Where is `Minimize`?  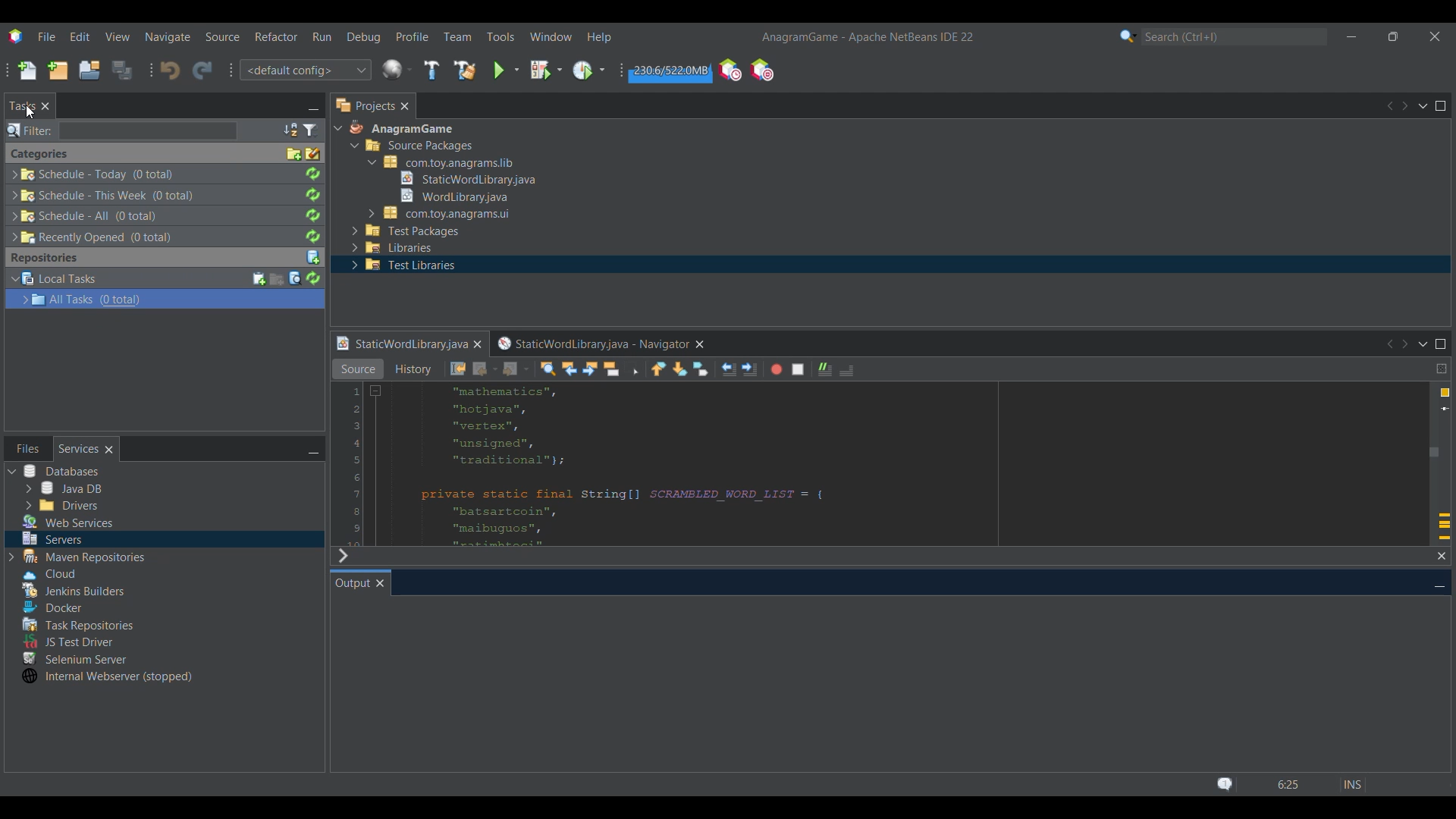 Minimize is located at coordinates (1439, 585).